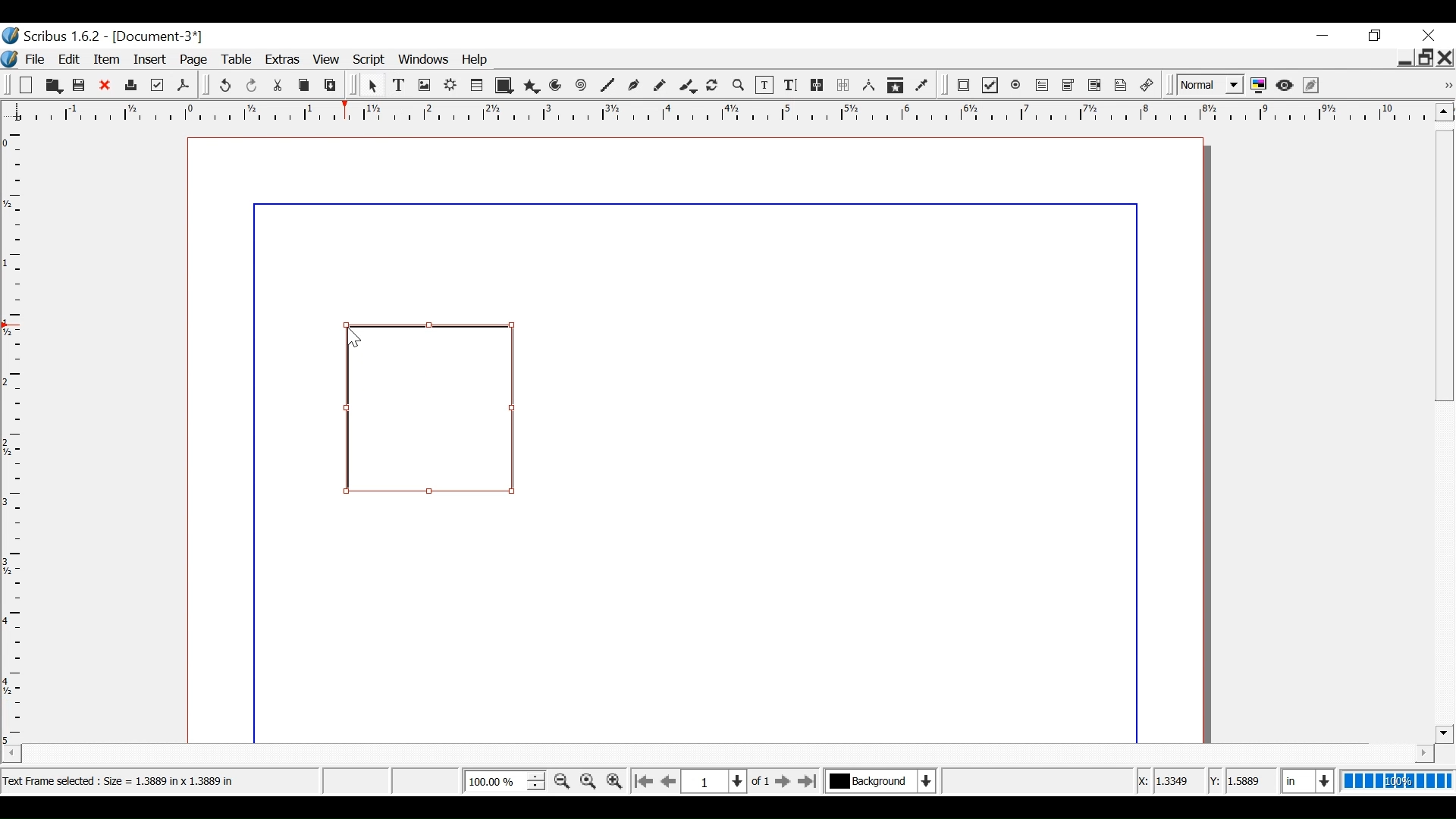 The height and width of the screenshot is (819, 1456). What do you see at coordinates (107, 60) in the screenshot?
I see `Item` at bounding box center [107, 60].